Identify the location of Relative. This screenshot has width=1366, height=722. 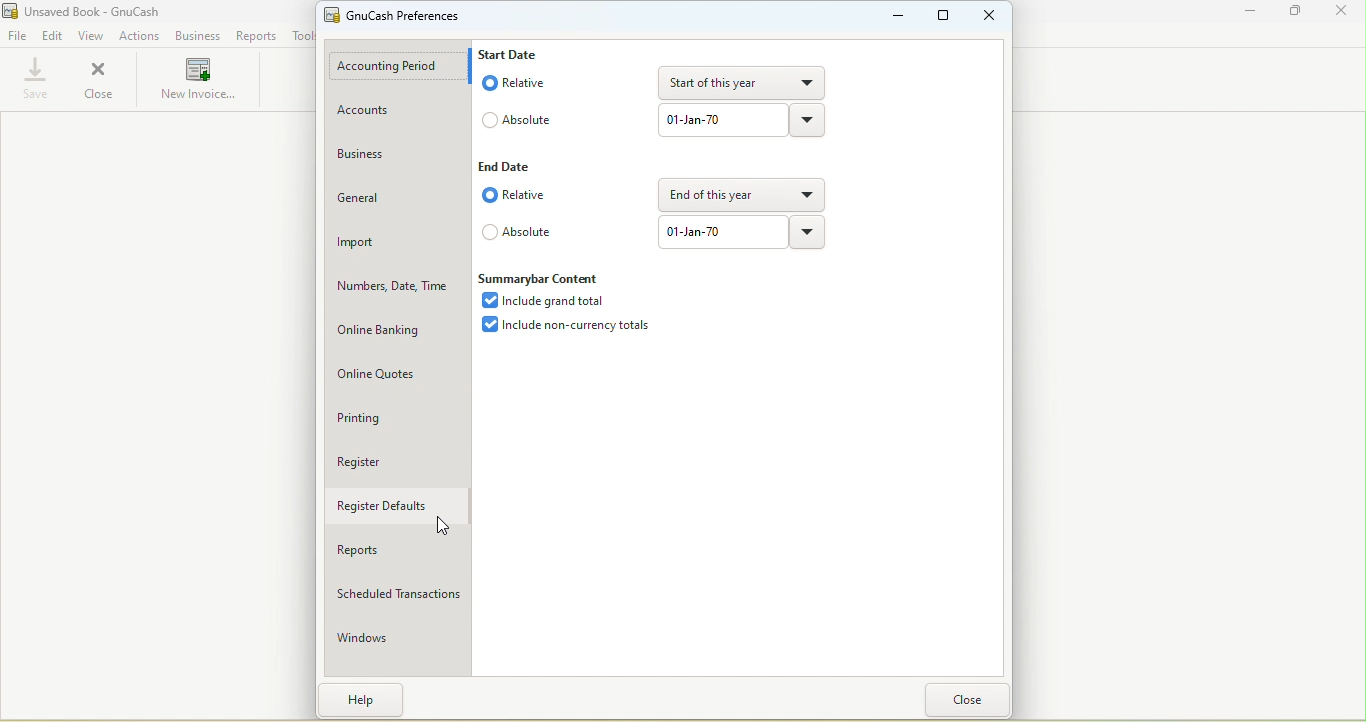
(512, 195).